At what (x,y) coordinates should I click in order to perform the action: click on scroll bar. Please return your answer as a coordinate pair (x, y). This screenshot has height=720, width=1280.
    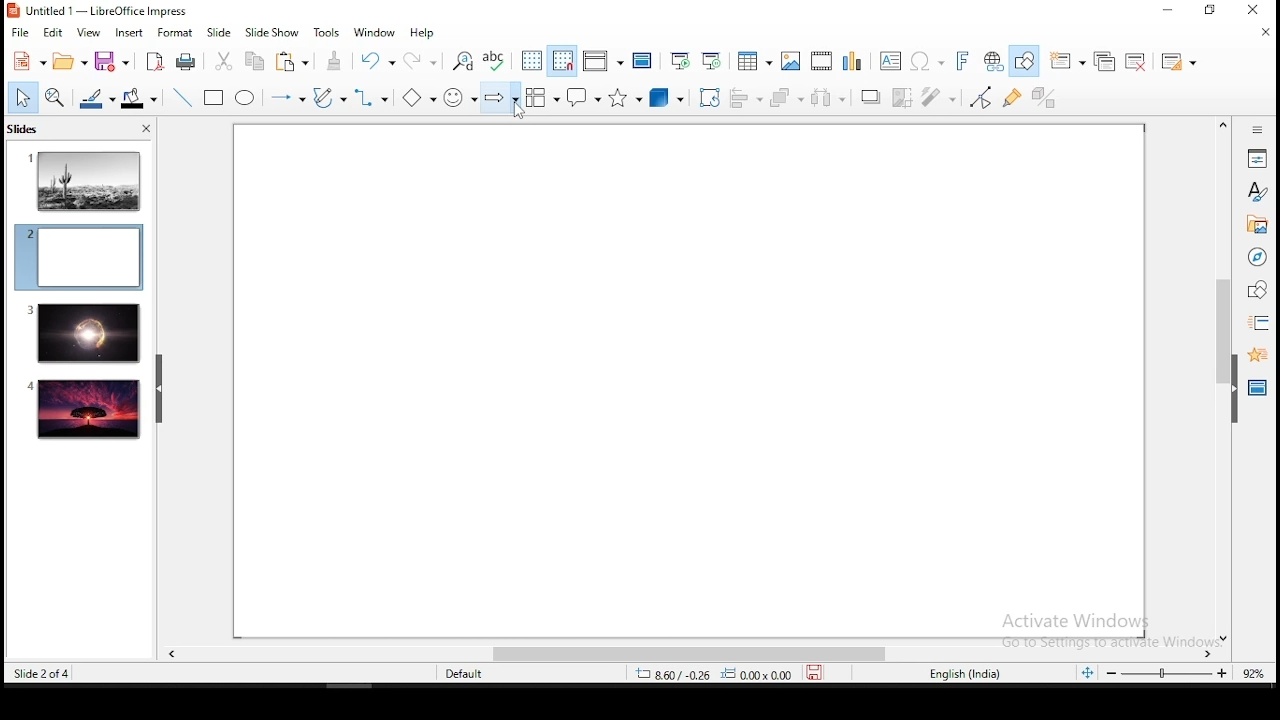
    Looking at the image, I should click on (1220, 380).